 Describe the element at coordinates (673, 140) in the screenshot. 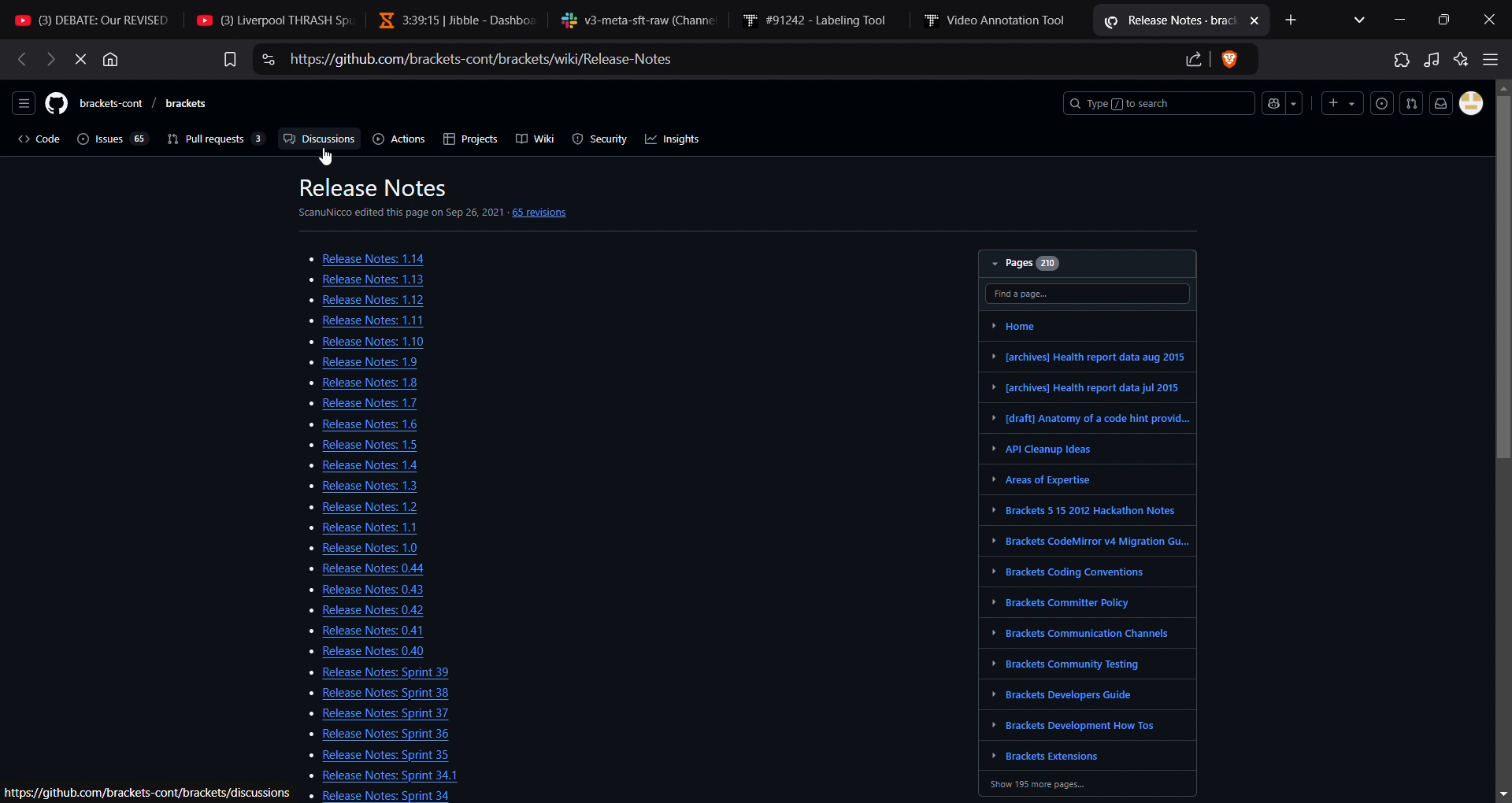

I see `insights` at that location.